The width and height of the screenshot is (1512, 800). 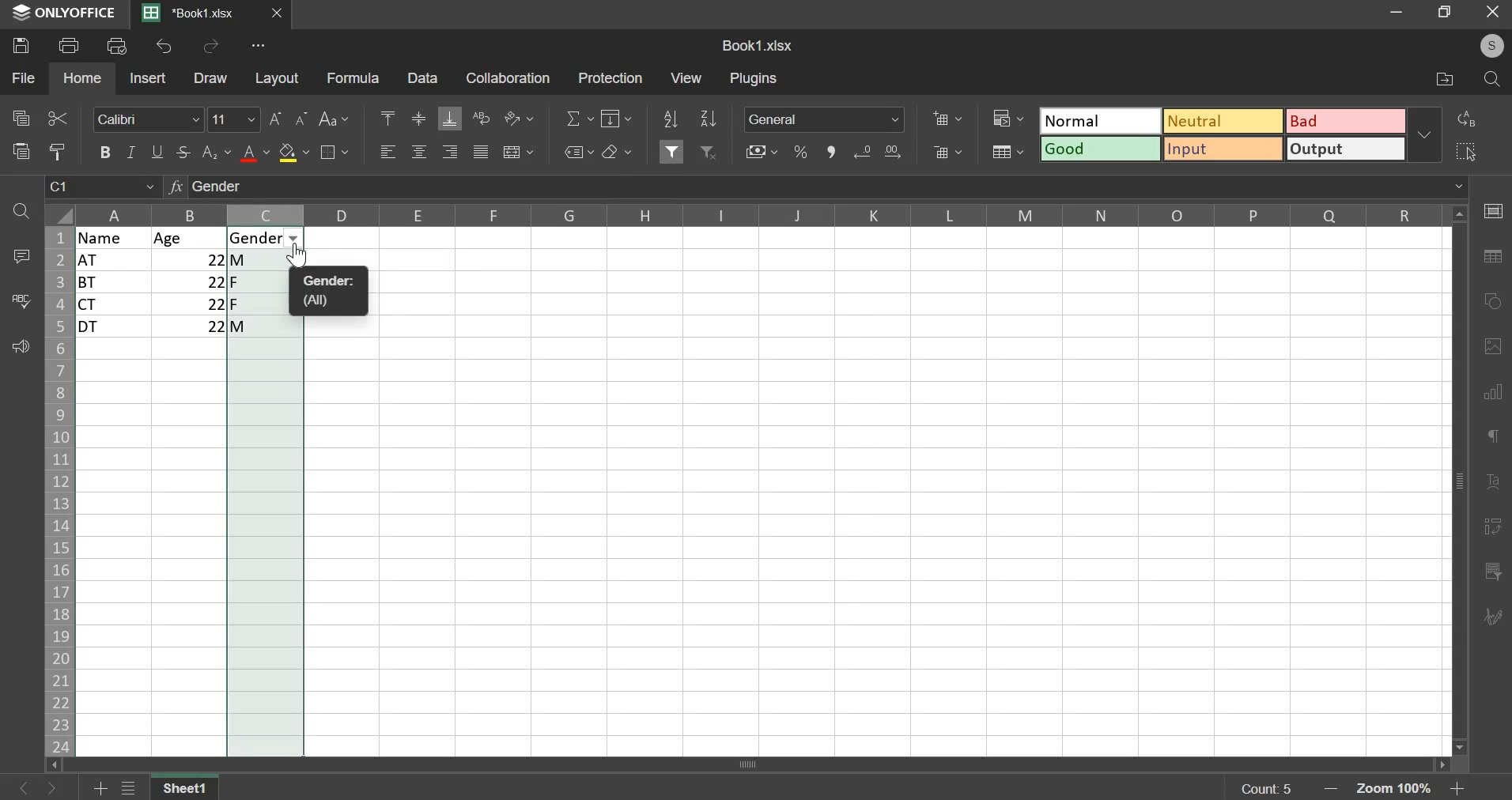 I want to click on Cursor, so click(x=301, y=257).